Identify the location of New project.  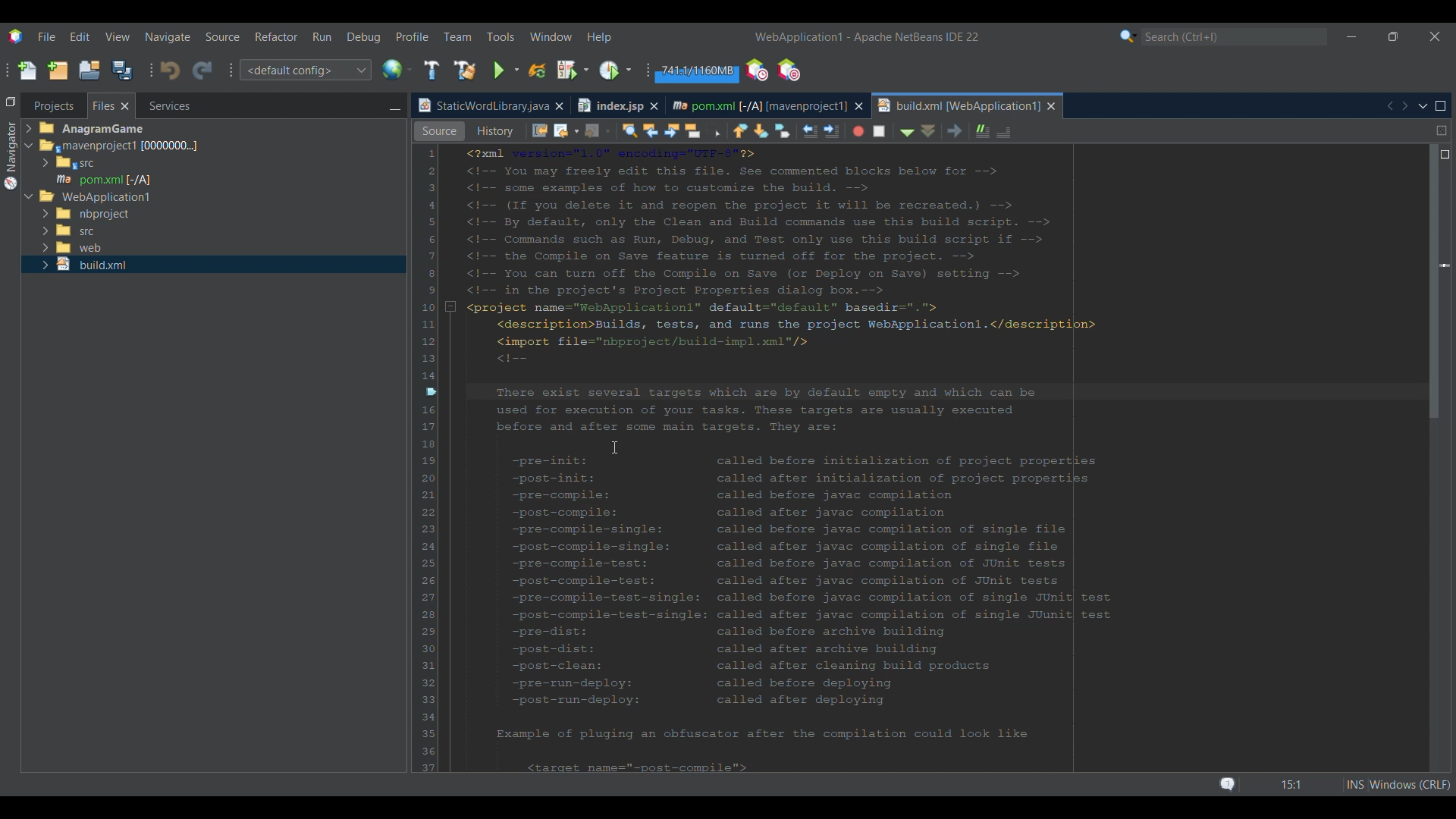
(58, 70).